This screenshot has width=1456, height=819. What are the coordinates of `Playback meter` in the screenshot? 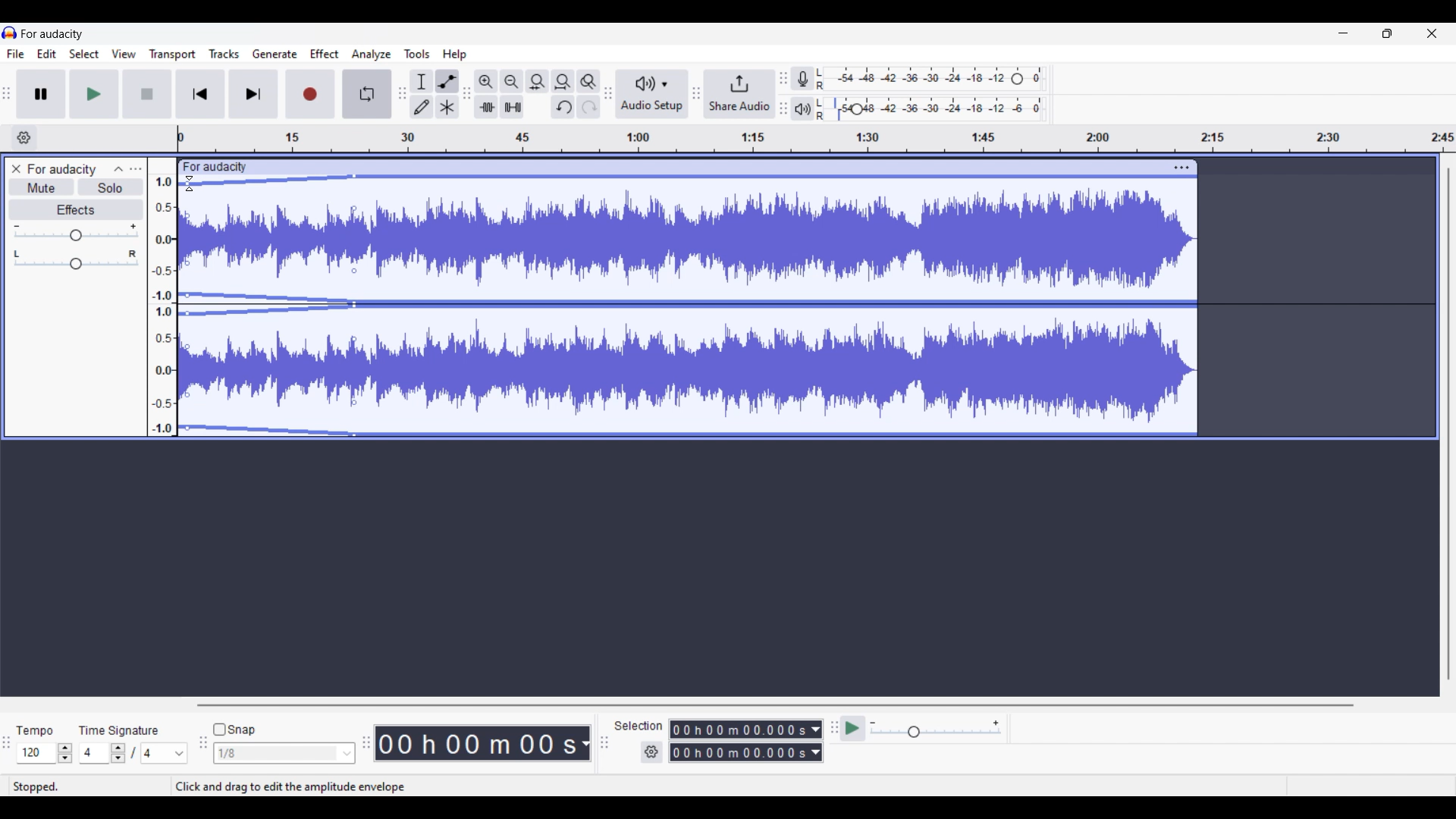 It's located at (802, 108).